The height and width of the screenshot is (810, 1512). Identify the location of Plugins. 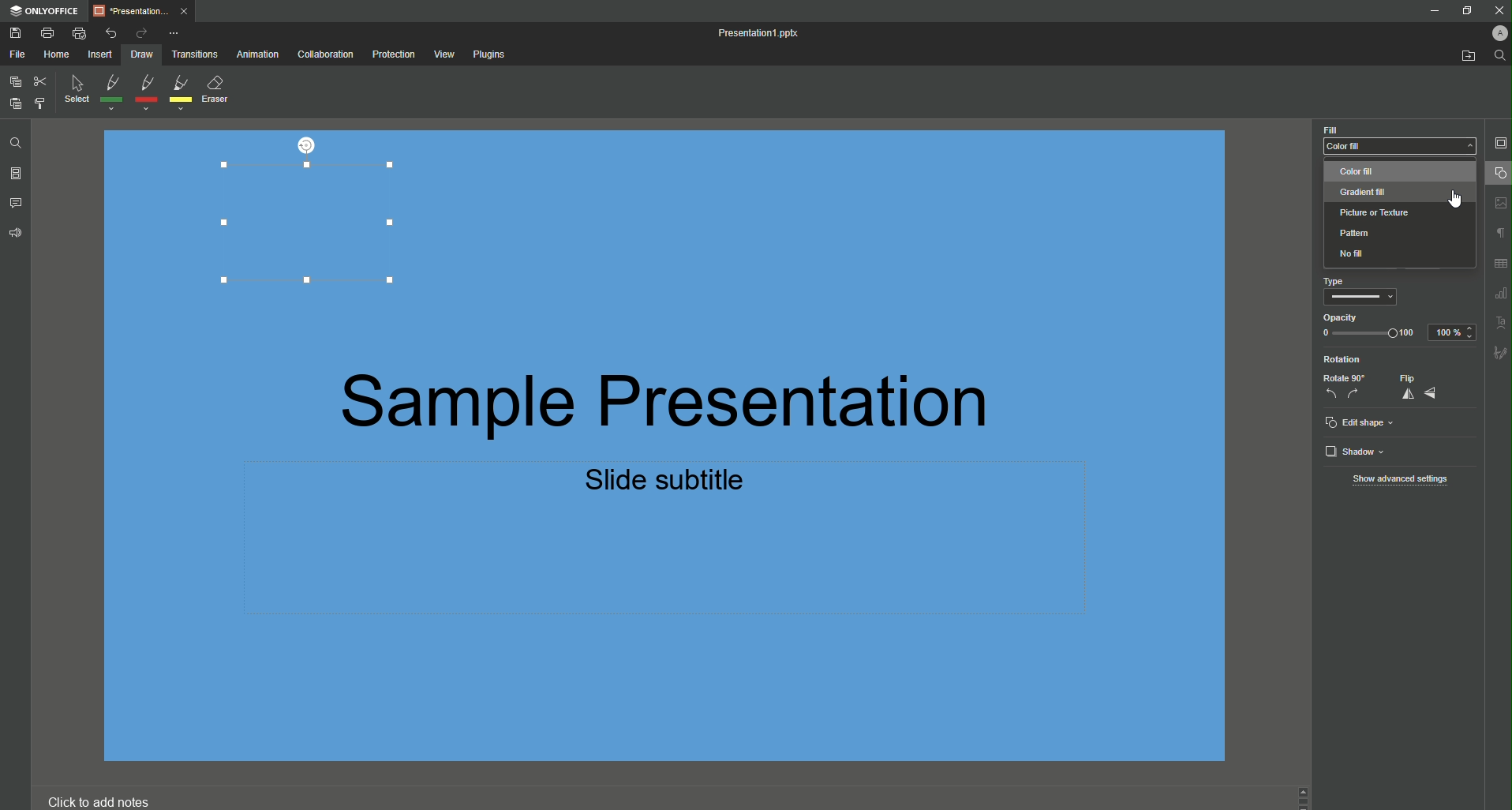
(492, 55).